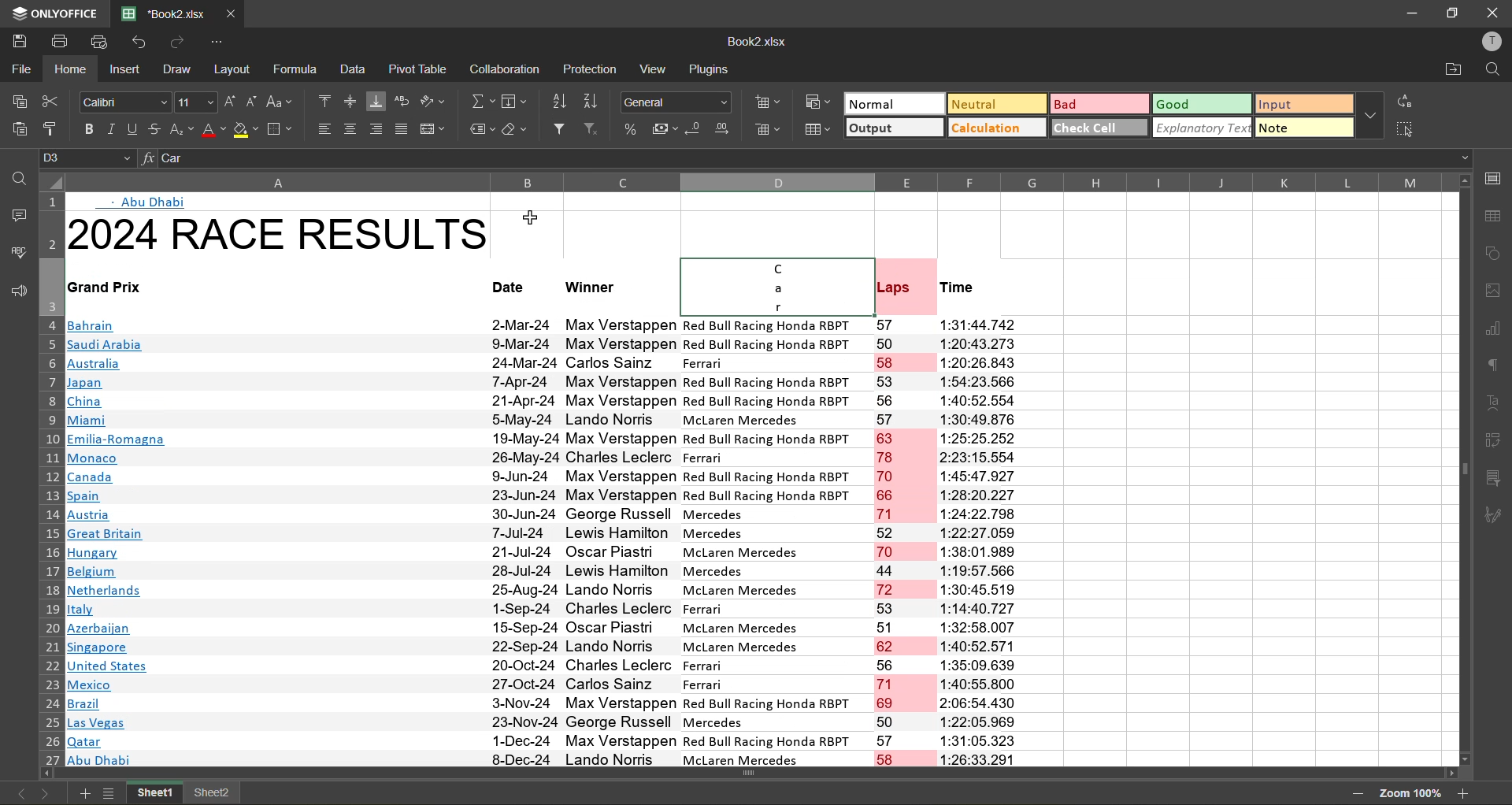  What do you see at coordinates (114, 128) in the screenshot?
I see `italic` at bounding box center [114, 128].